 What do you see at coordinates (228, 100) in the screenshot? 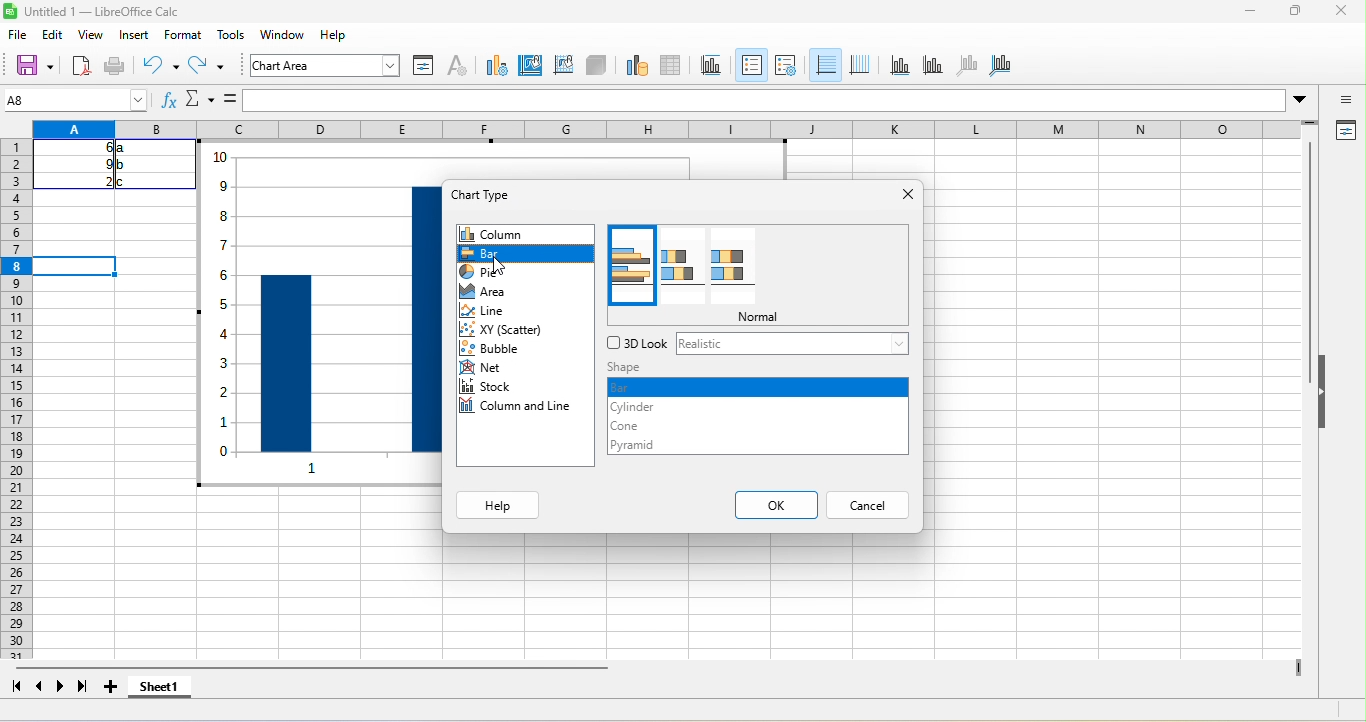
I see `formula` at bounding box center [228, 100].